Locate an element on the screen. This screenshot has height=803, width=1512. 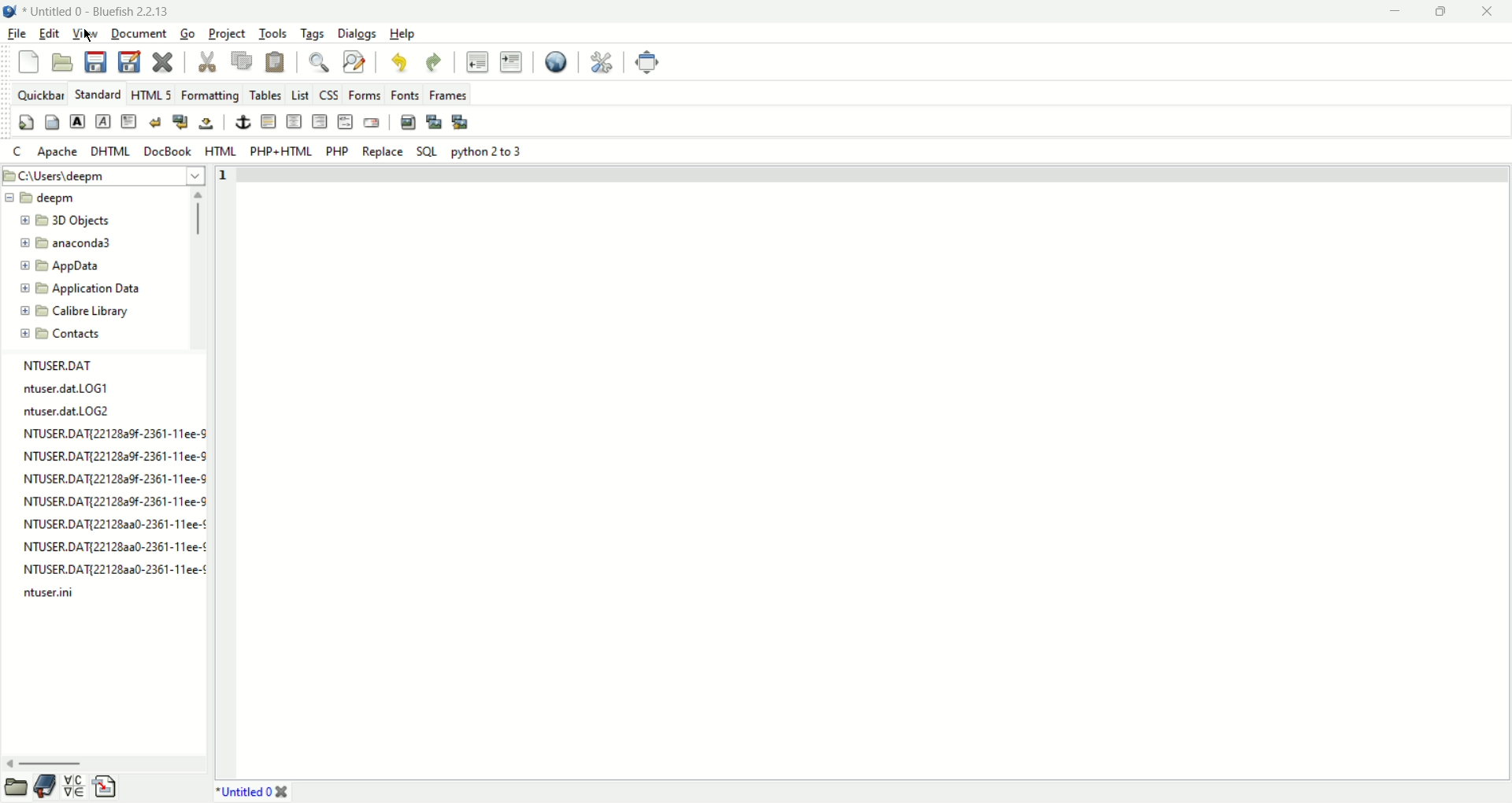
fonts is located at coordinates (402, 96).